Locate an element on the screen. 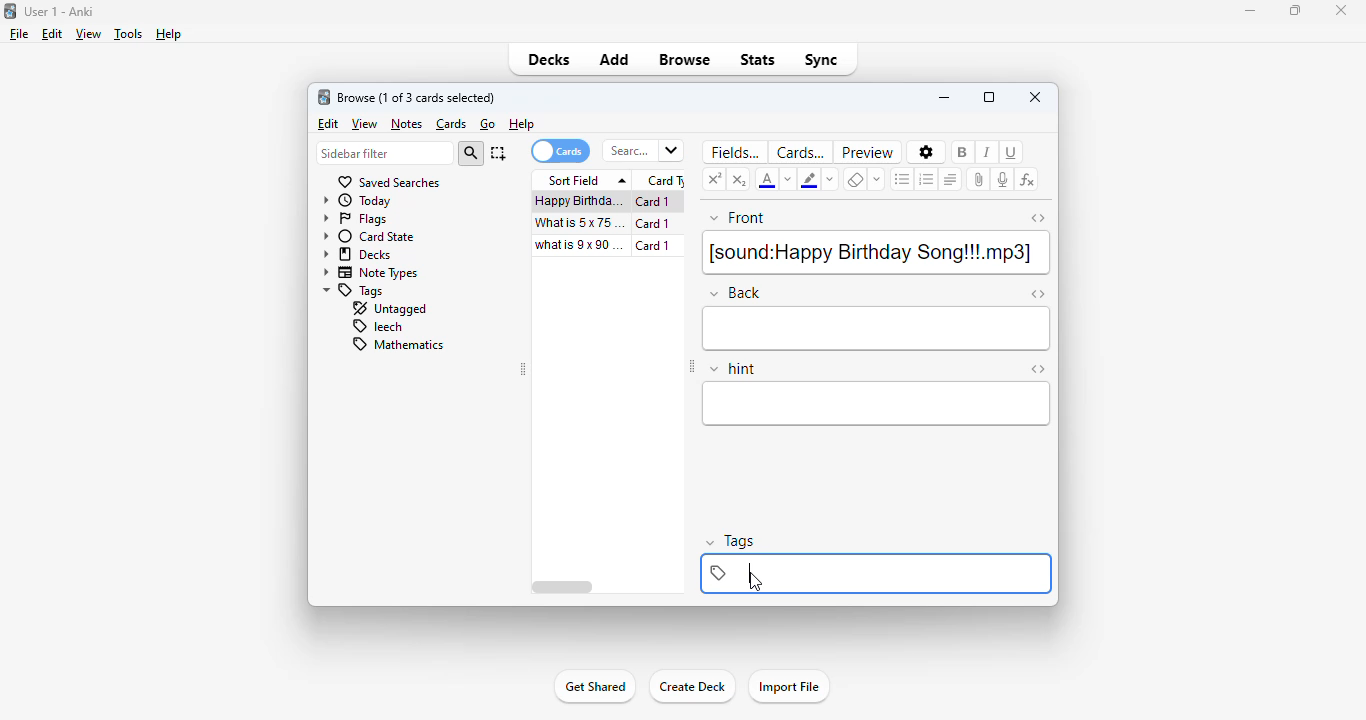 This screenshot has height=720, width=1366. remove formatting is located at coordinates (855, 179).